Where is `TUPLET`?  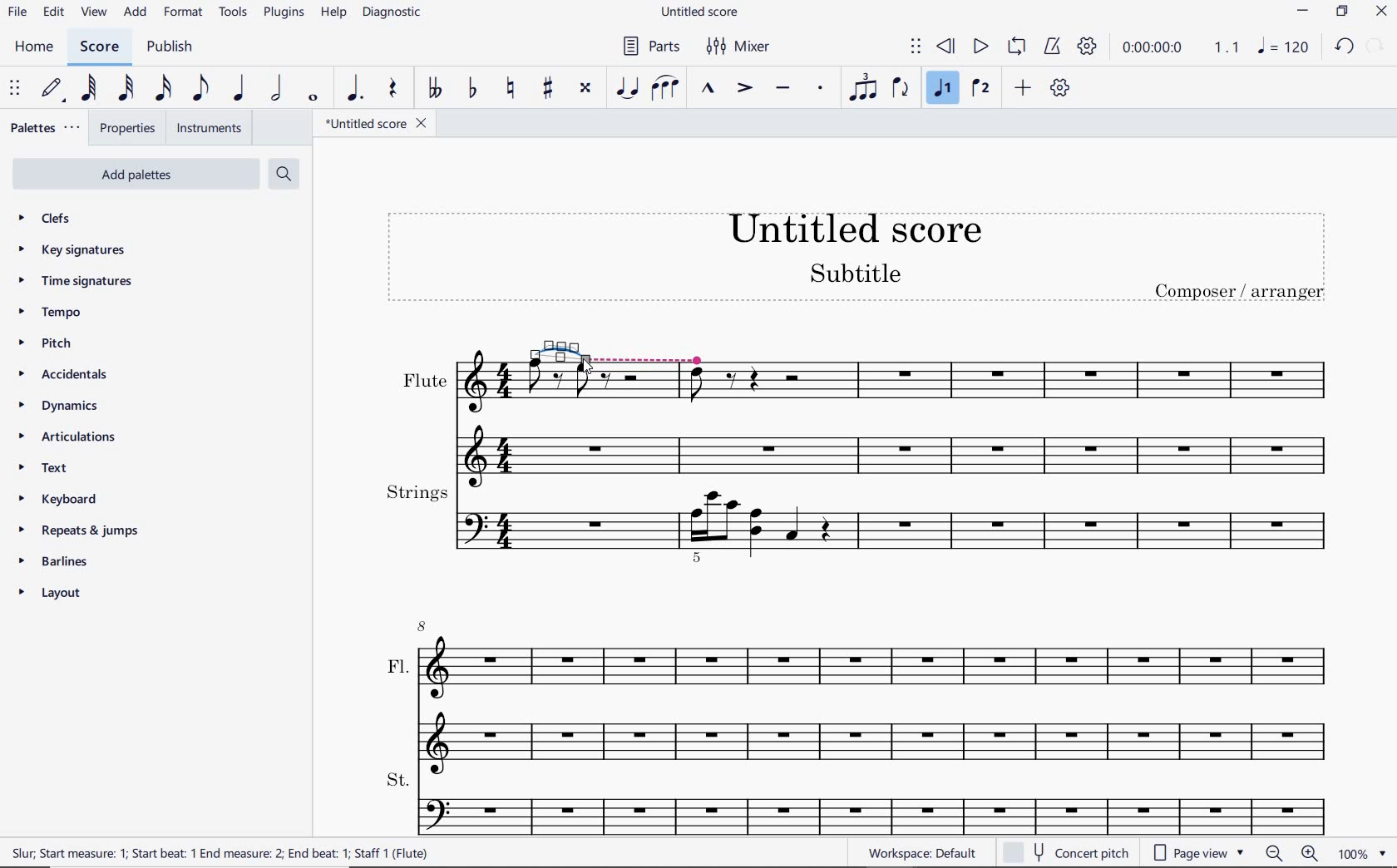
TUPLET is located at coordinates (862, 90).